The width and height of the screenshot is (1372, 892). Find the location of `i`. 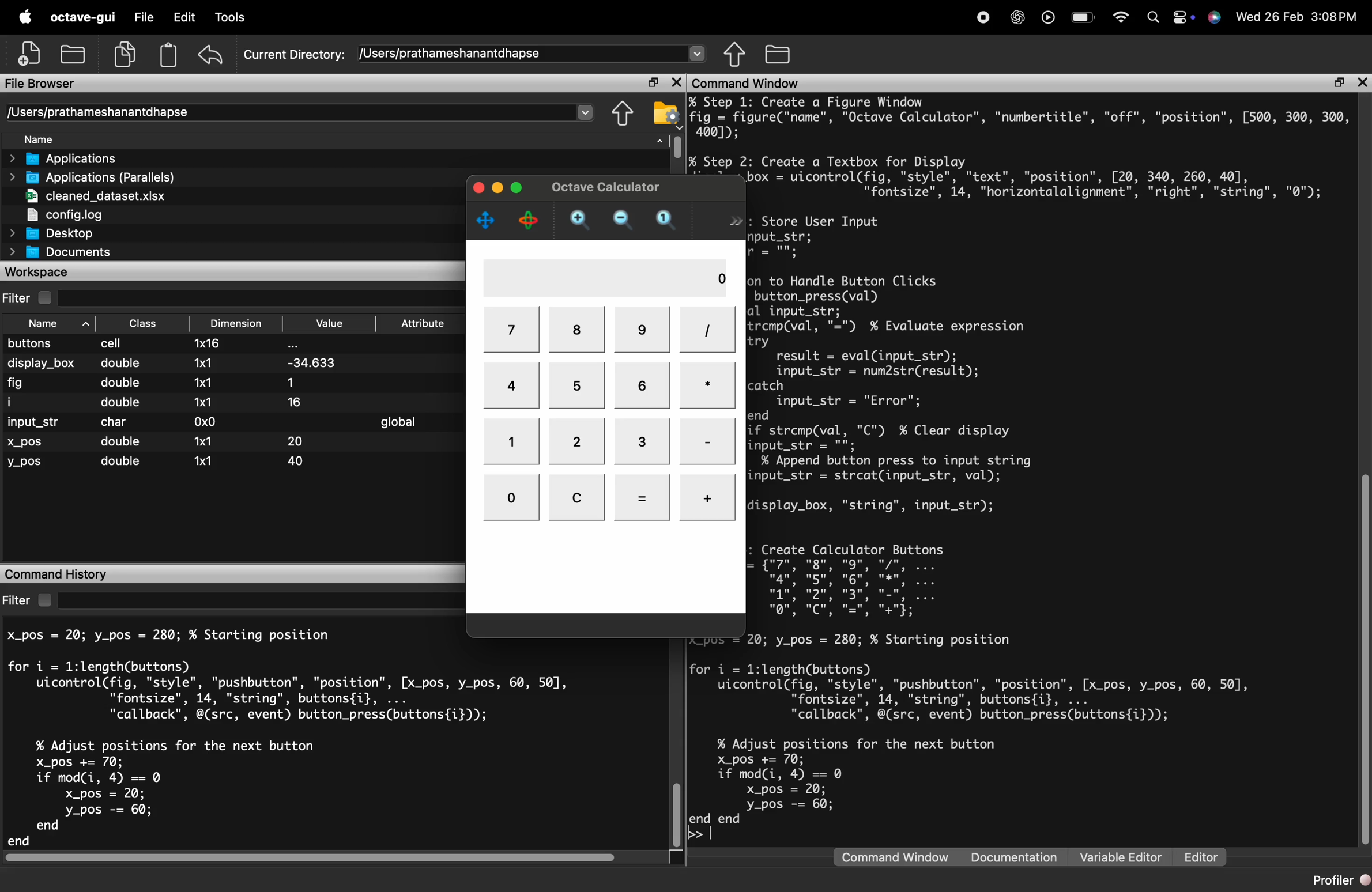

i is located at coordinates (15, 402).